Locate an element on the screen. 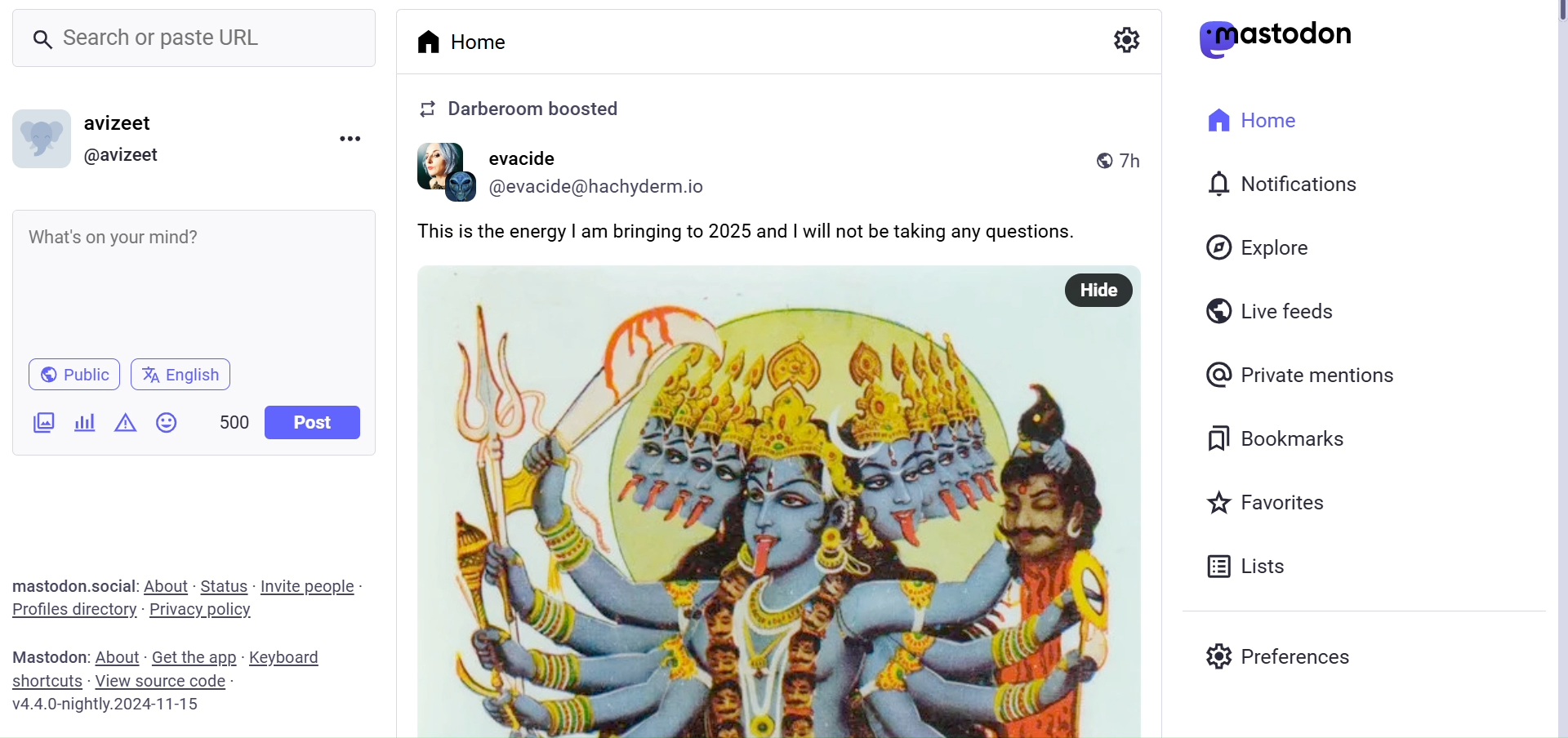 The width and height of the screenshot is (1568, 738). Ad Image is located at coordinates (44, 424).